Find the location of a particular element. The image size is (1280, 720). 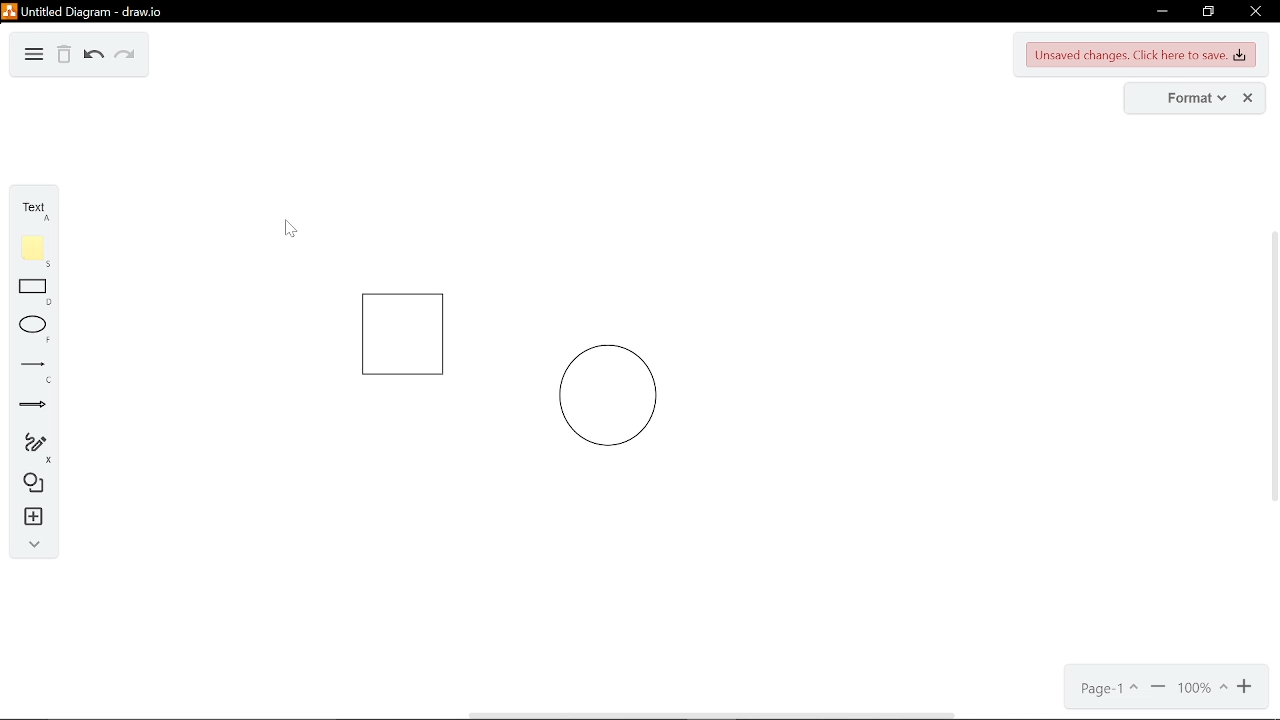

Delete is located at coordinates (64, 56).